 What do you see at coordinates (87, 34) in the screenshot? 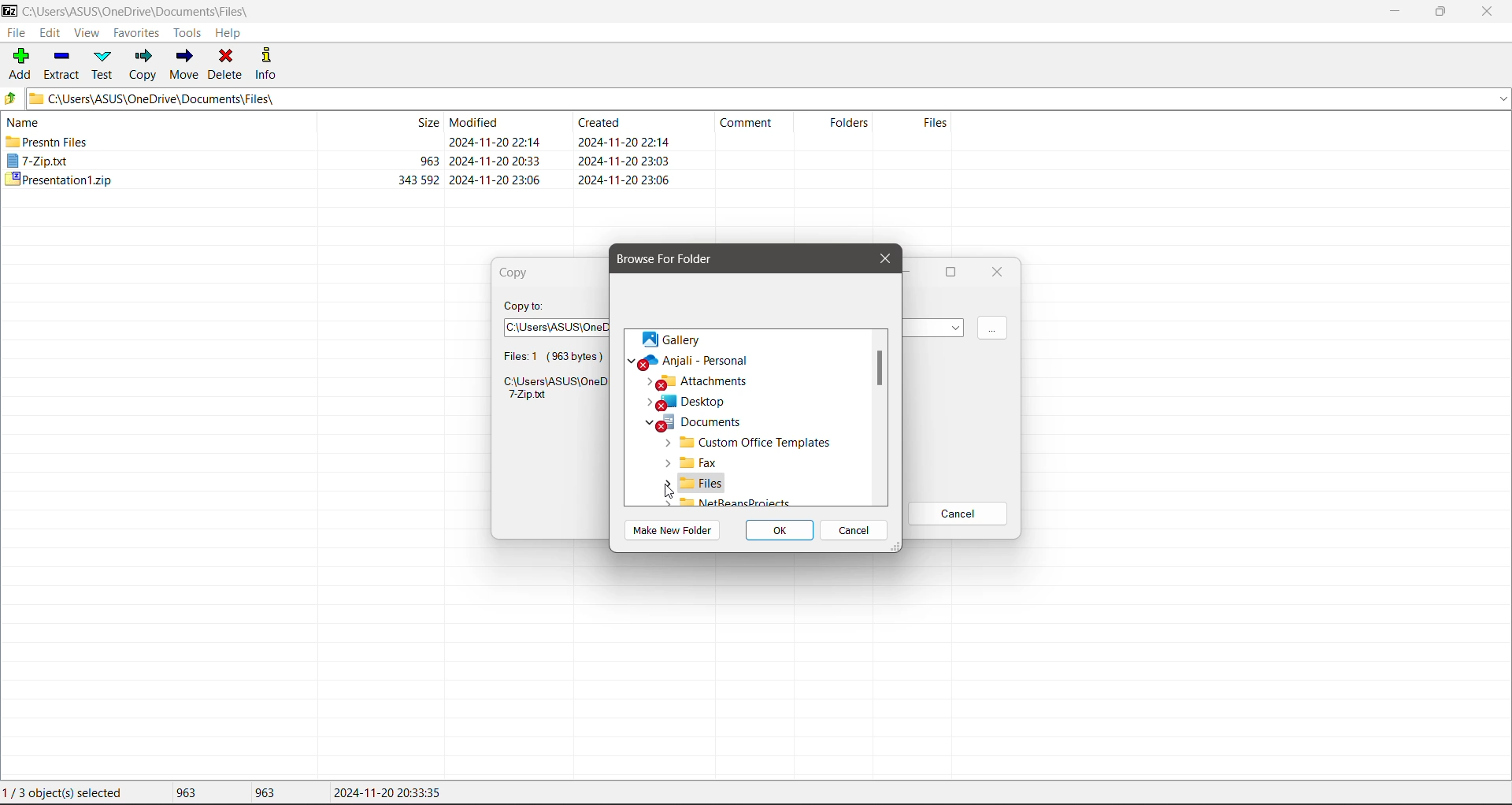
I see `View` at bounding box center [87, 34].